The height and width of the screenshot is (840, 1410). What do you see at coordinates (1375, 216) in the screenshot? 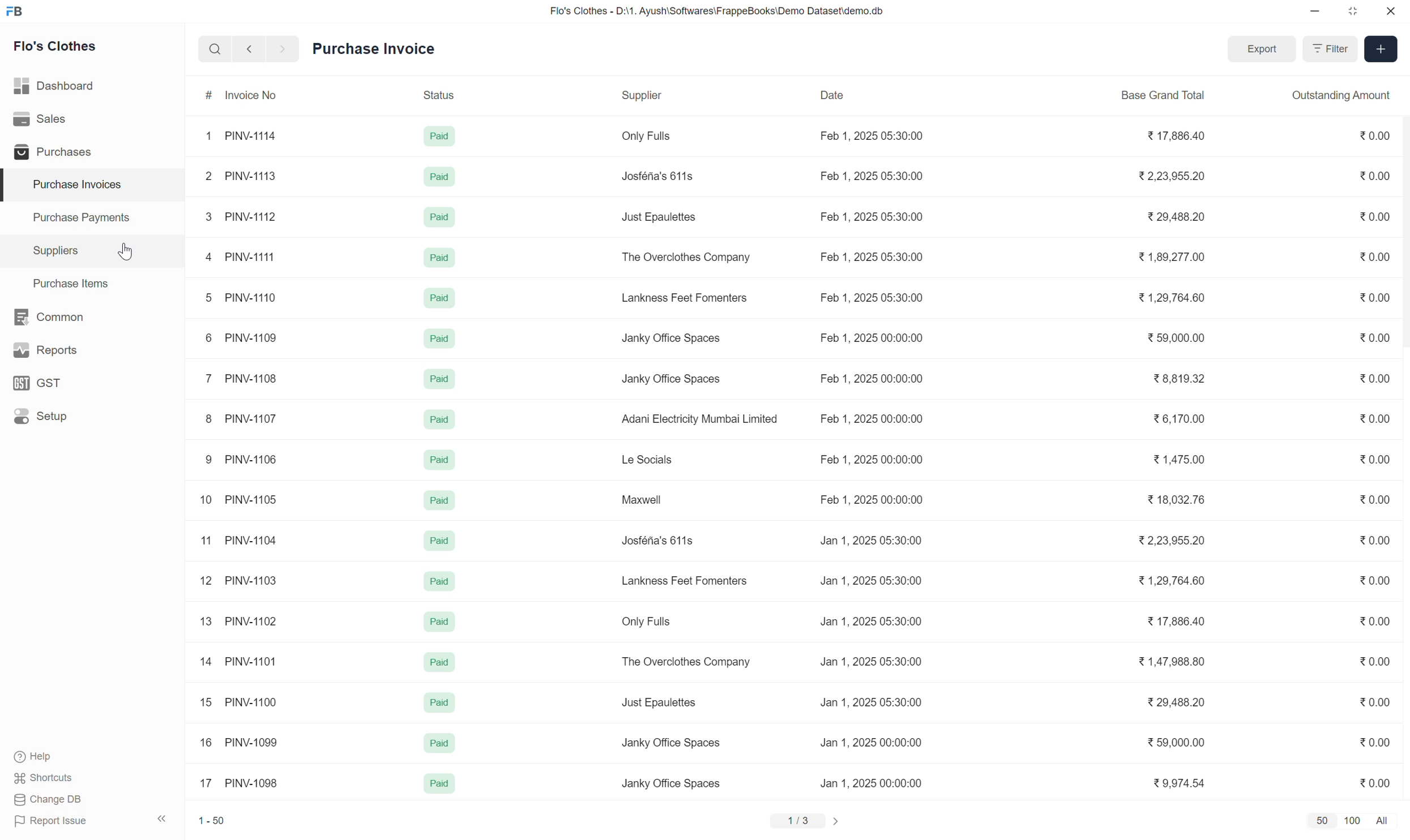
I see `0.00` at bounding box center [1375, 216].